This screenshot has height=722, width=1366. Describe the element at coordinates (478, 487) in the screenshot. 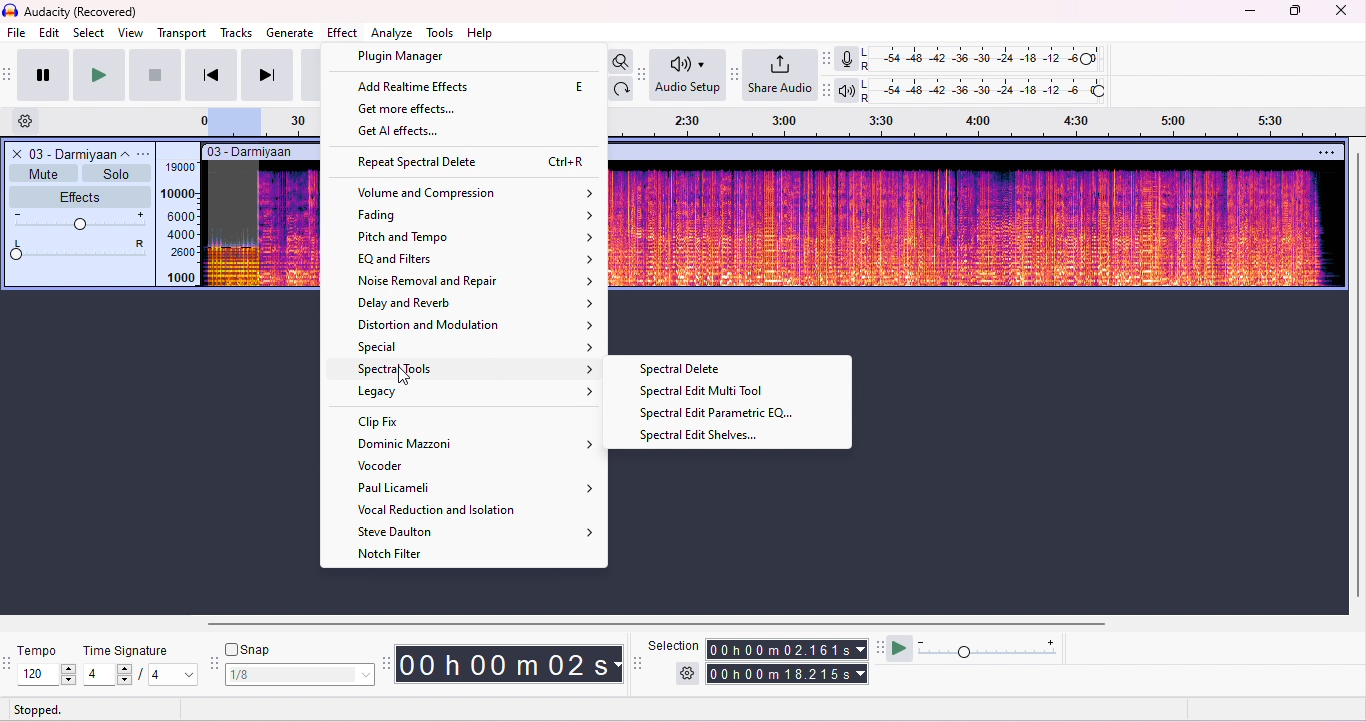

I see `paul licameli` at that location.